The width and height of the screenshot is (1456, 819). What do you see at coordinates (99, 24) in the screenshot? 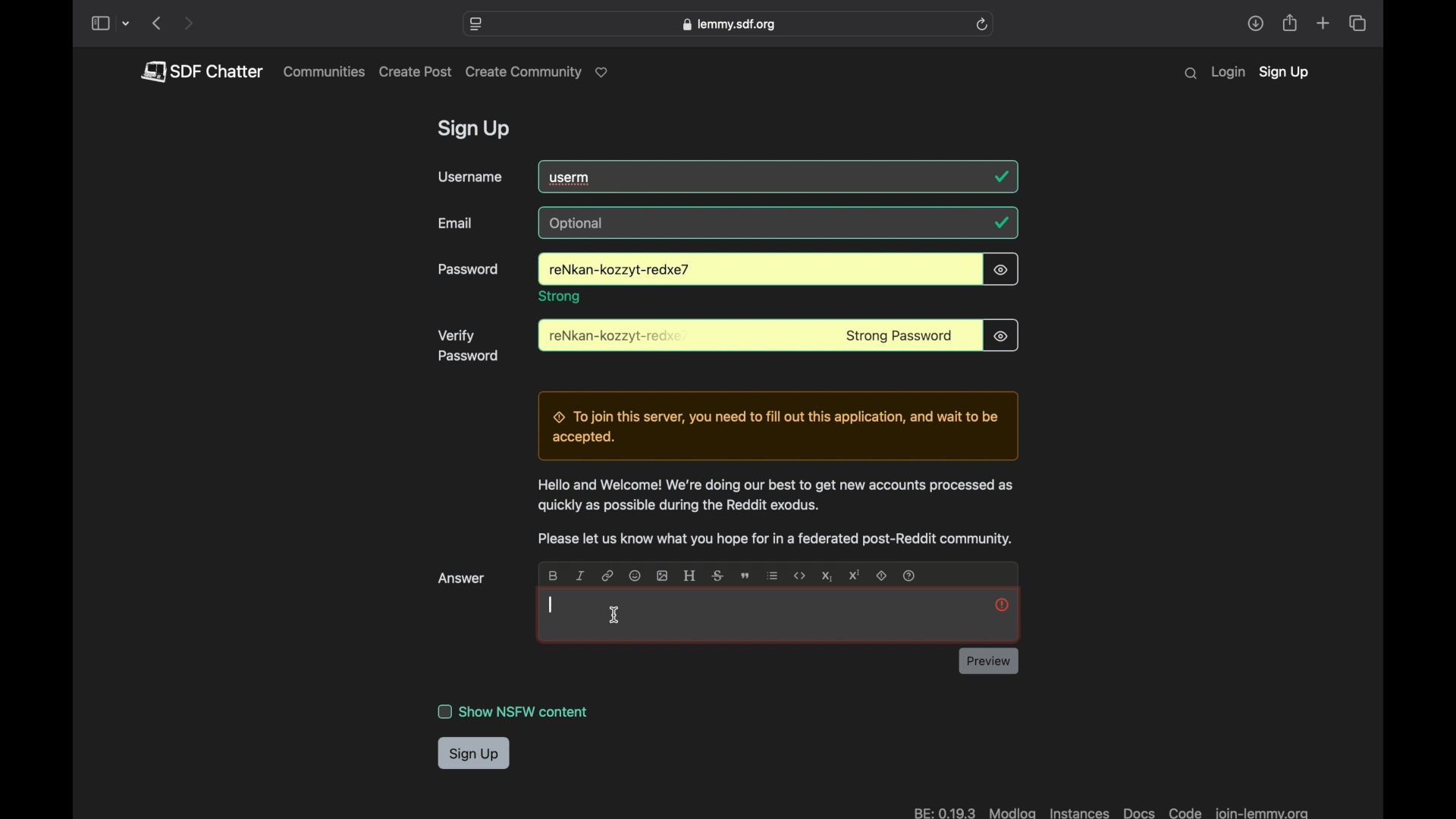
I see `show sidebar` at bounding box center [99, 24].